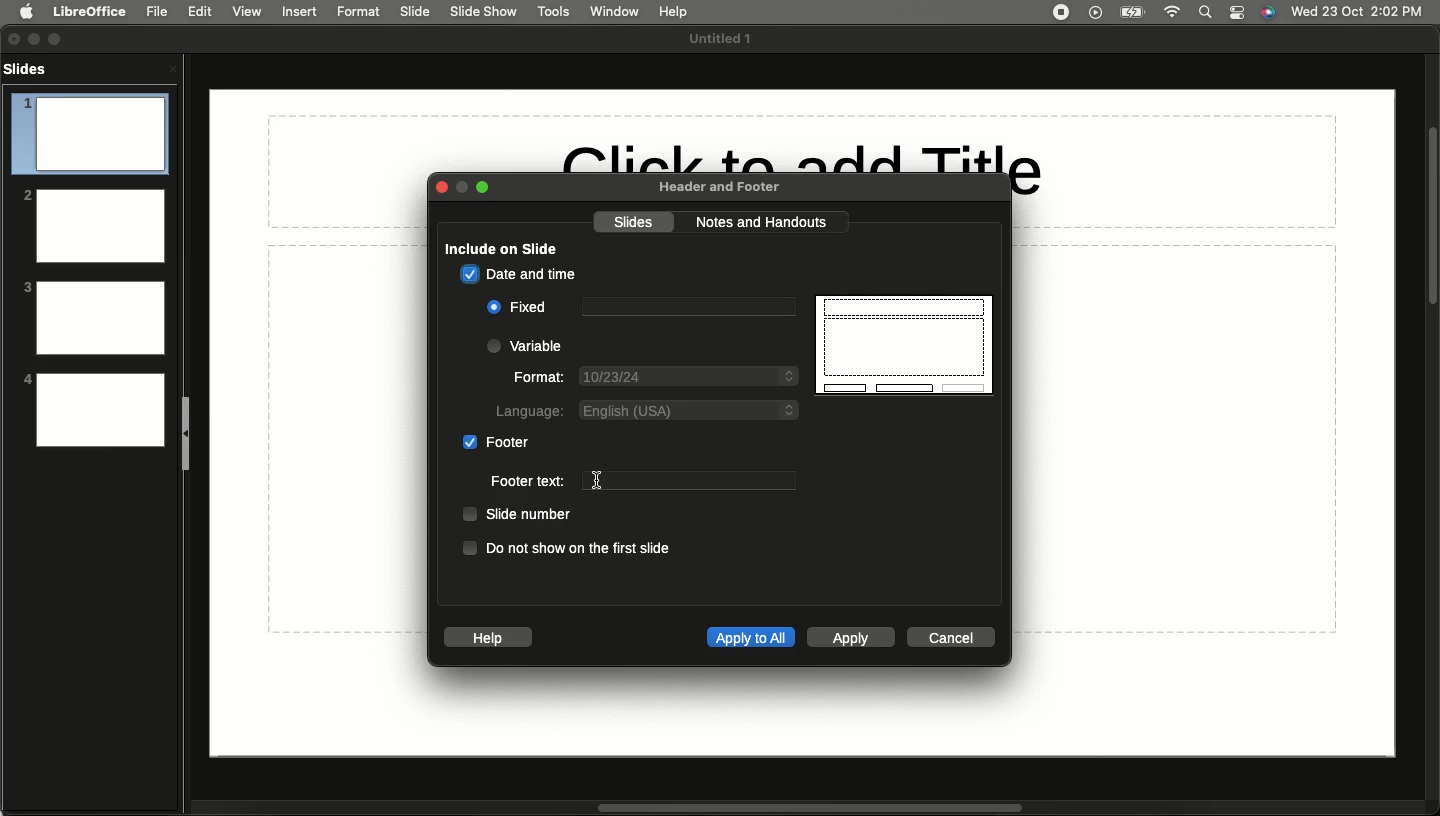 This screenshot has height=816, width=1440. What do you see at coordinates (525, 410) in the screenshot?
I see `Language` at bounding box center [525, 410].